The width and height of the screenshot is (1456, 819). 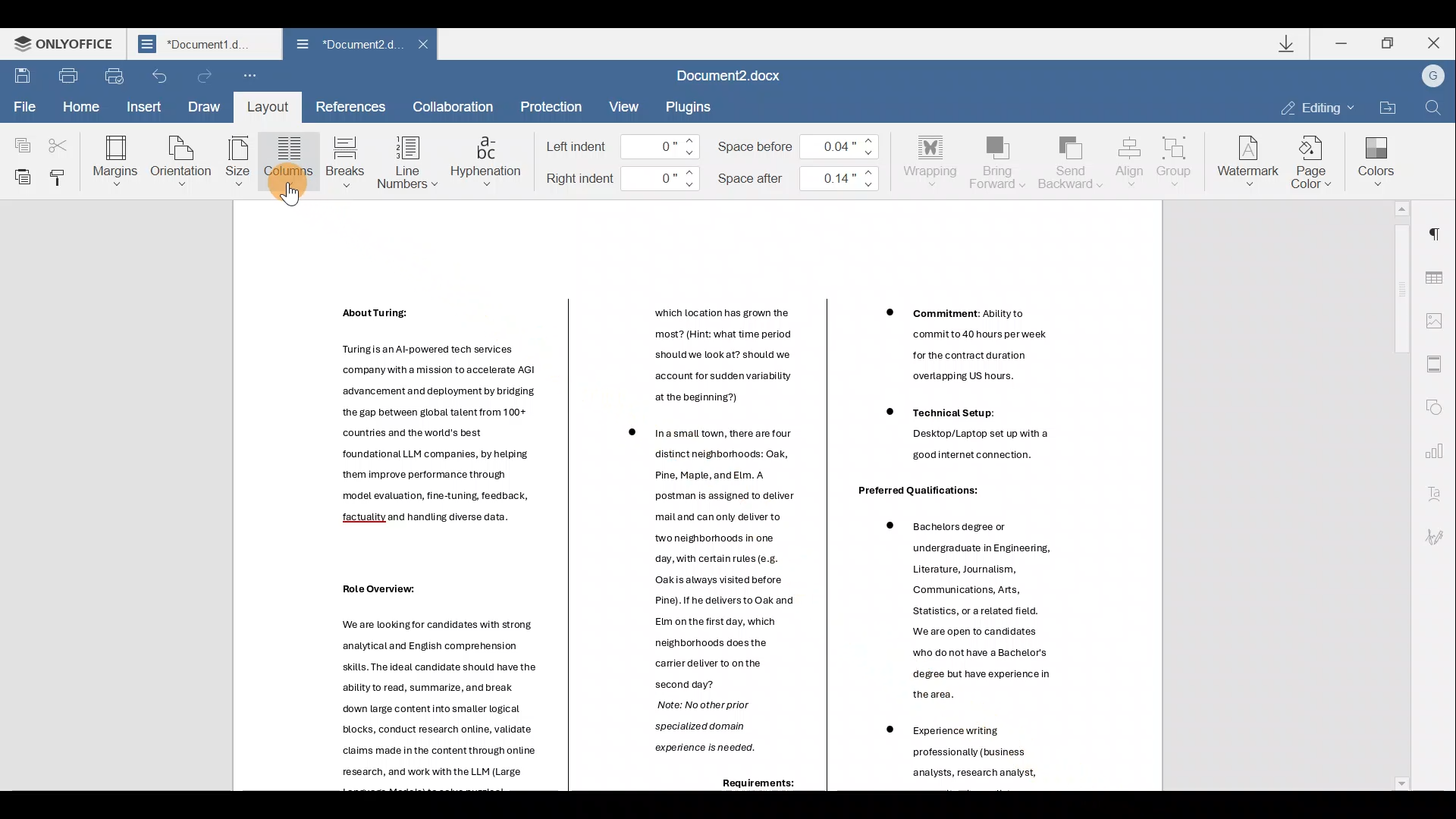 What do you see at coordinates (1387, 106) in the screenshot?
I see `Open file location` at bounding box center [1387, 106].